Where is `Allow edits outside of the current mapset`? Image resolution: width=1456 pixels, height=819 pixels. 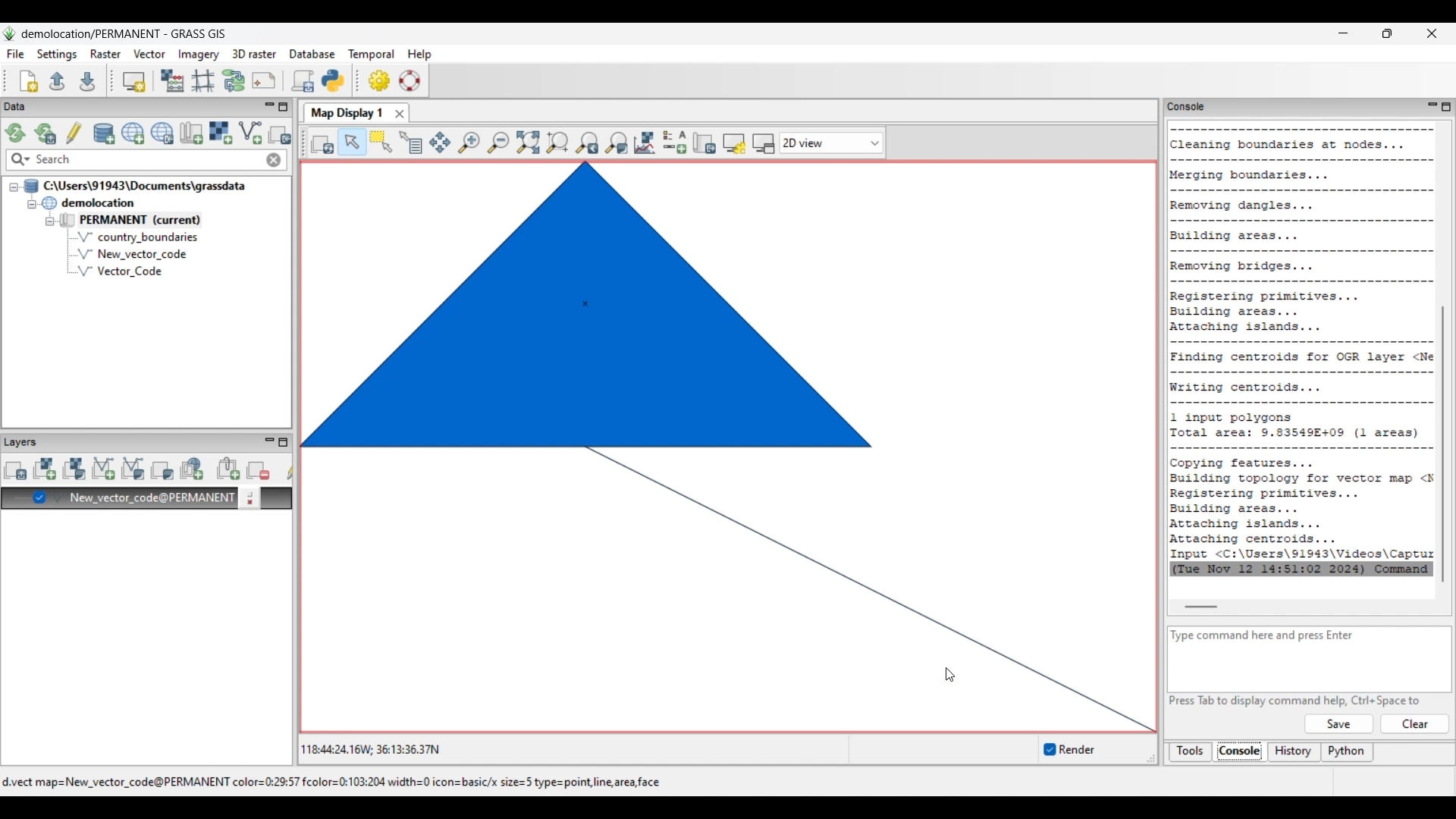
Allow edits outside of the current mapset is located at coordinates (74, 133).